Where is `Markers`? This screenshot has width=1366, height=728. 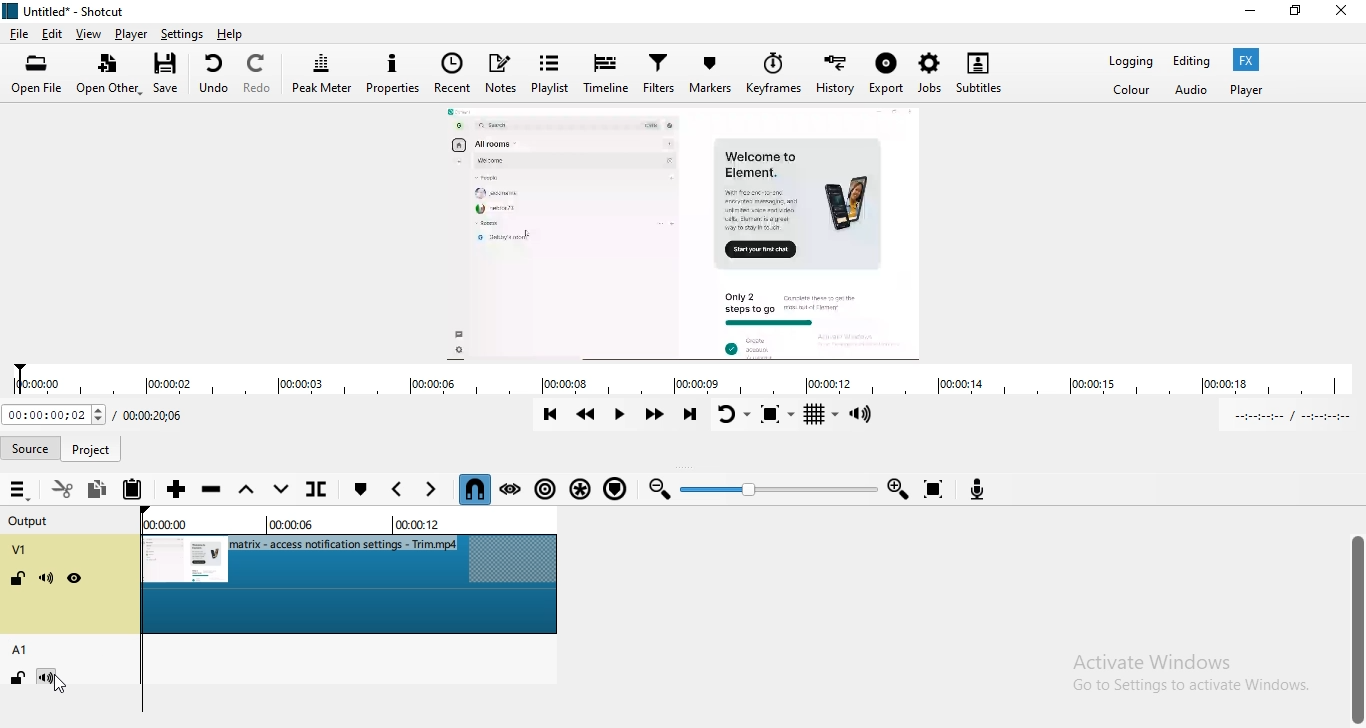
Markers is located at coordinates (711, 77).